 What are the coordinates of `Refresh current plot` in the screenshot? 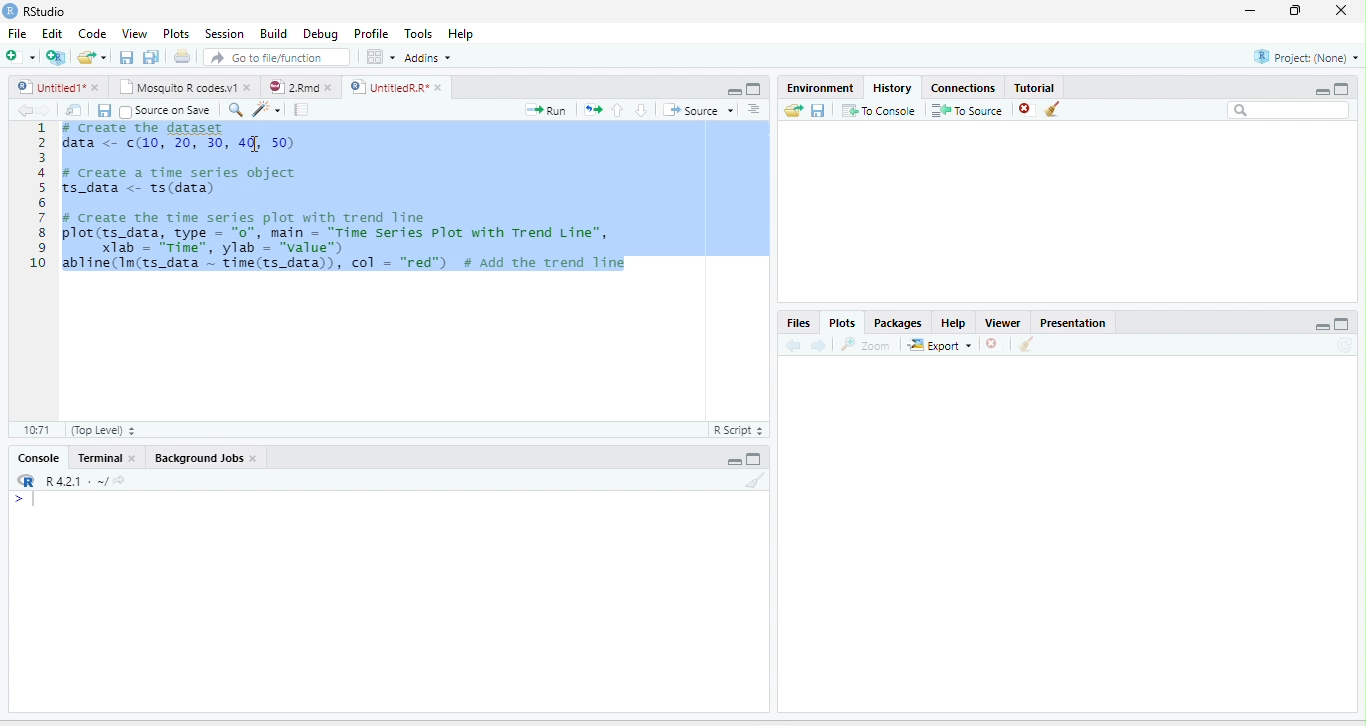 It's located at (1346, 345).